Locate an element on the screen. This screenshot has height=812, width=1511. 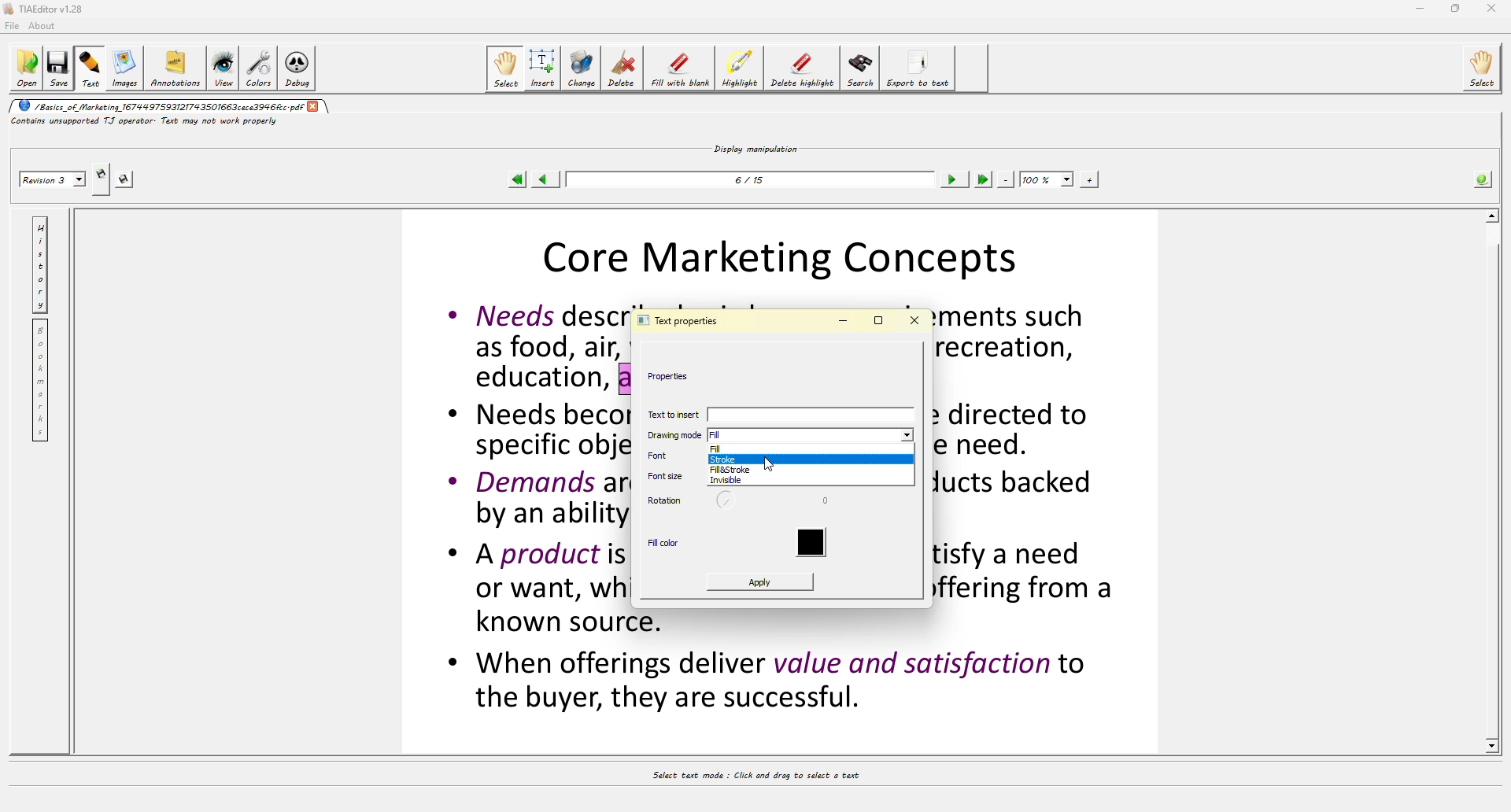
file is located at coordinates (11, 28).